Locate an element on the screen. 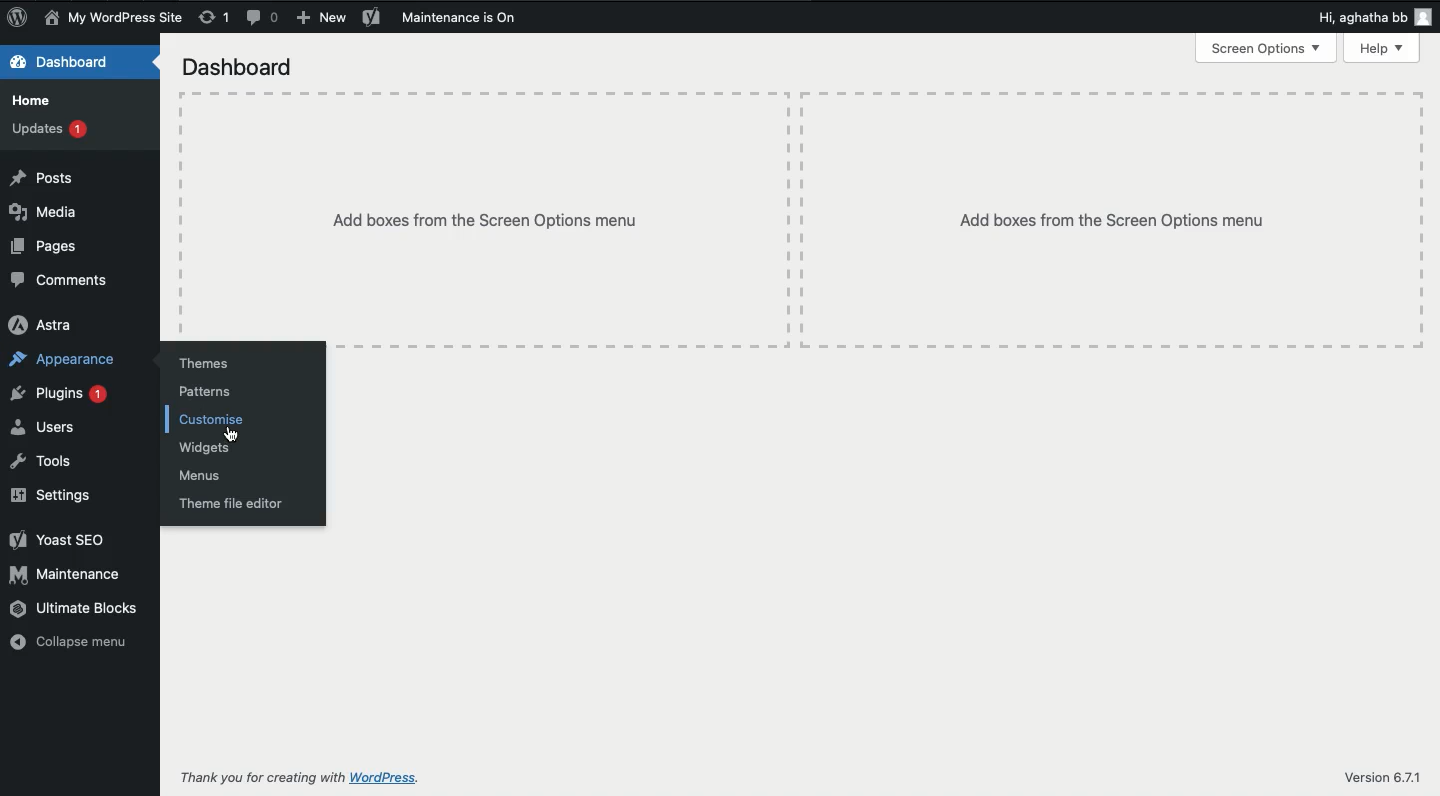 The height and width of the screenshot is (796, 1440). Collapse menu is located at coordinates (71, 644).